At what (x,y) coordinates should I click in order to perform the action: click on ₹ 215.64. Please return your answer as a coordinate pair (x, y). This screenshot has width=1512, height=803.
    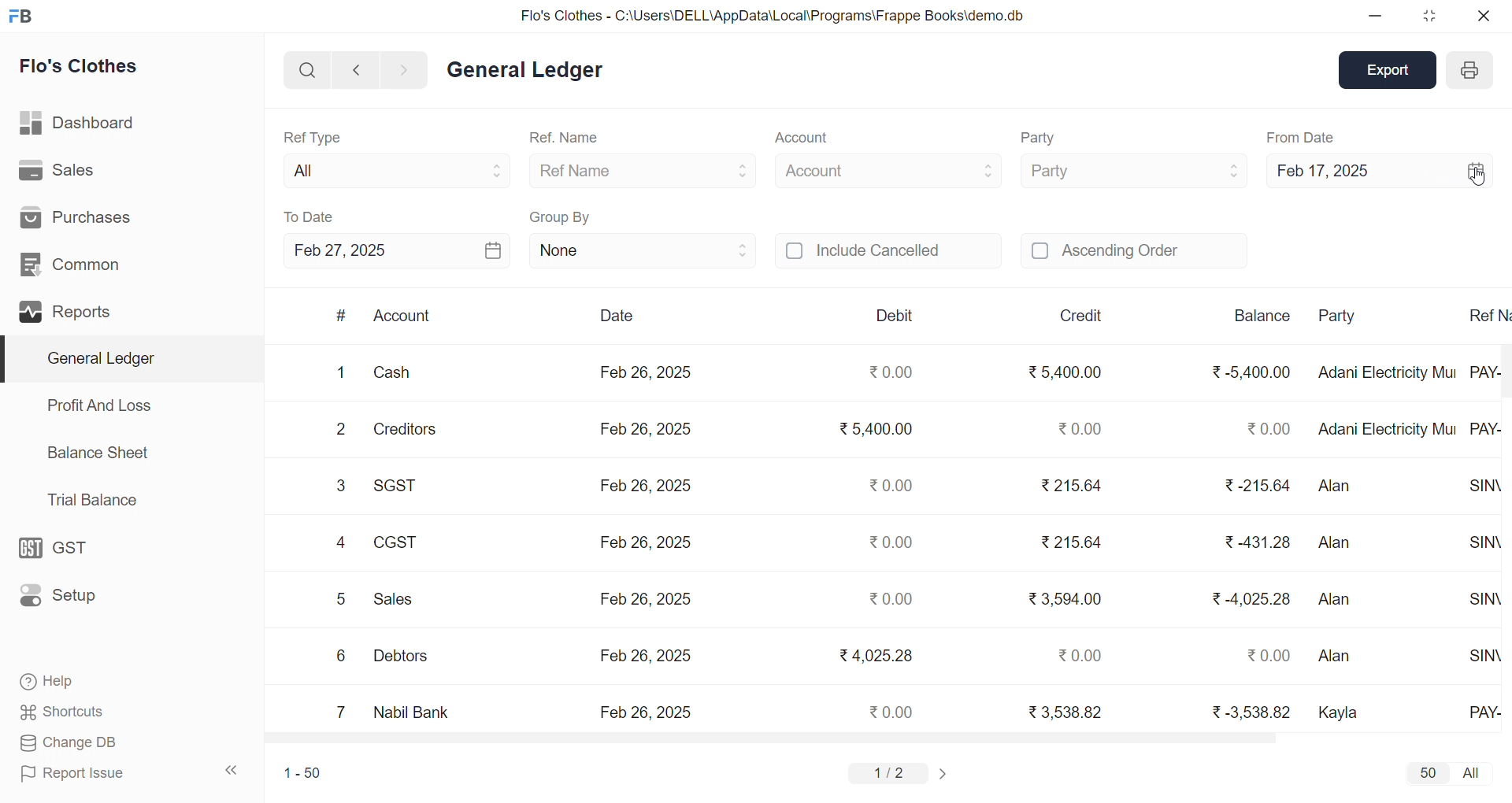
    Looking at the image, I should click on (1072, 544).